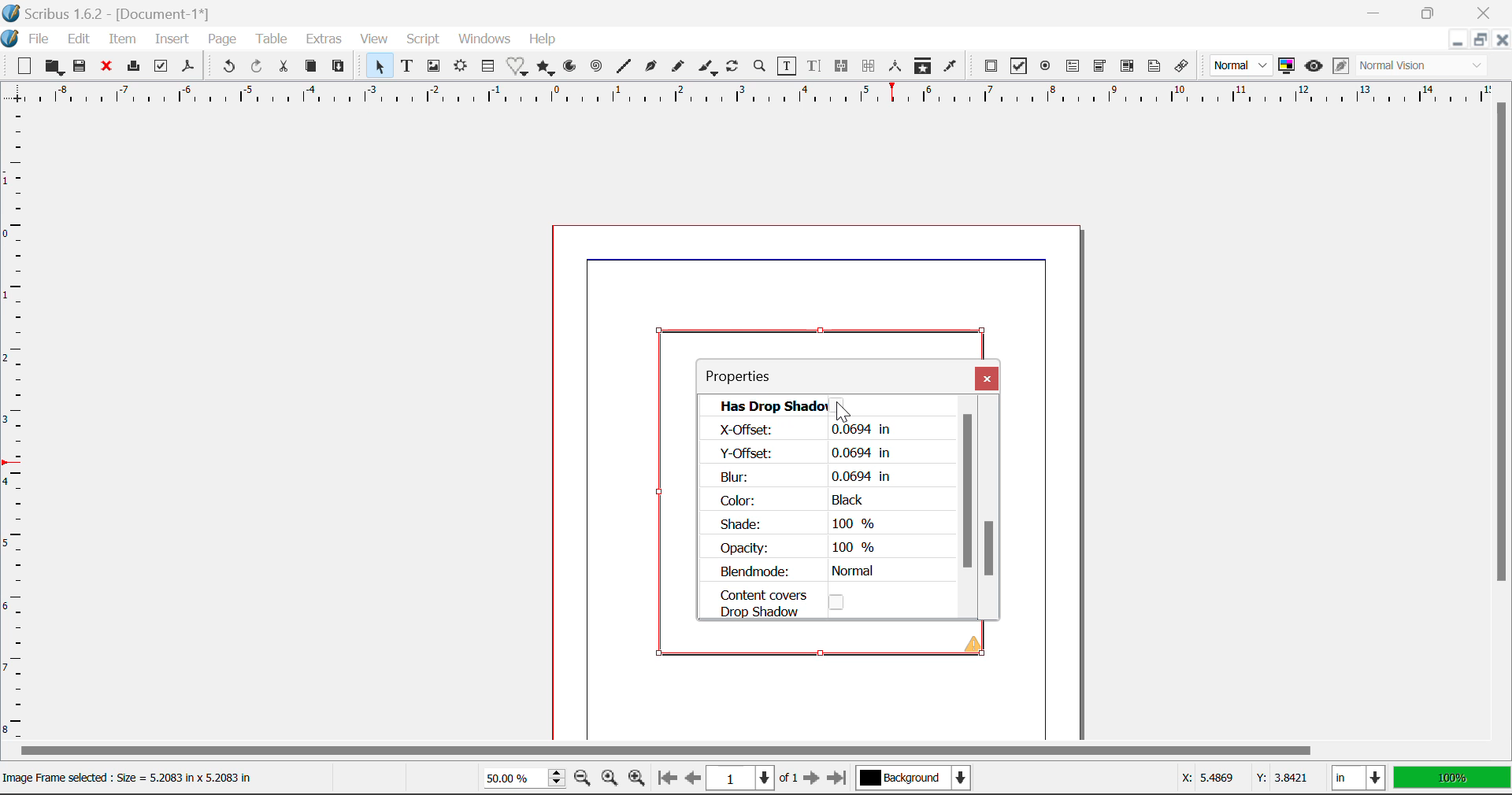  What do you see at coordinates (81, 68) in the screenshot?
I see `Save` at bounding box center [81, 68].